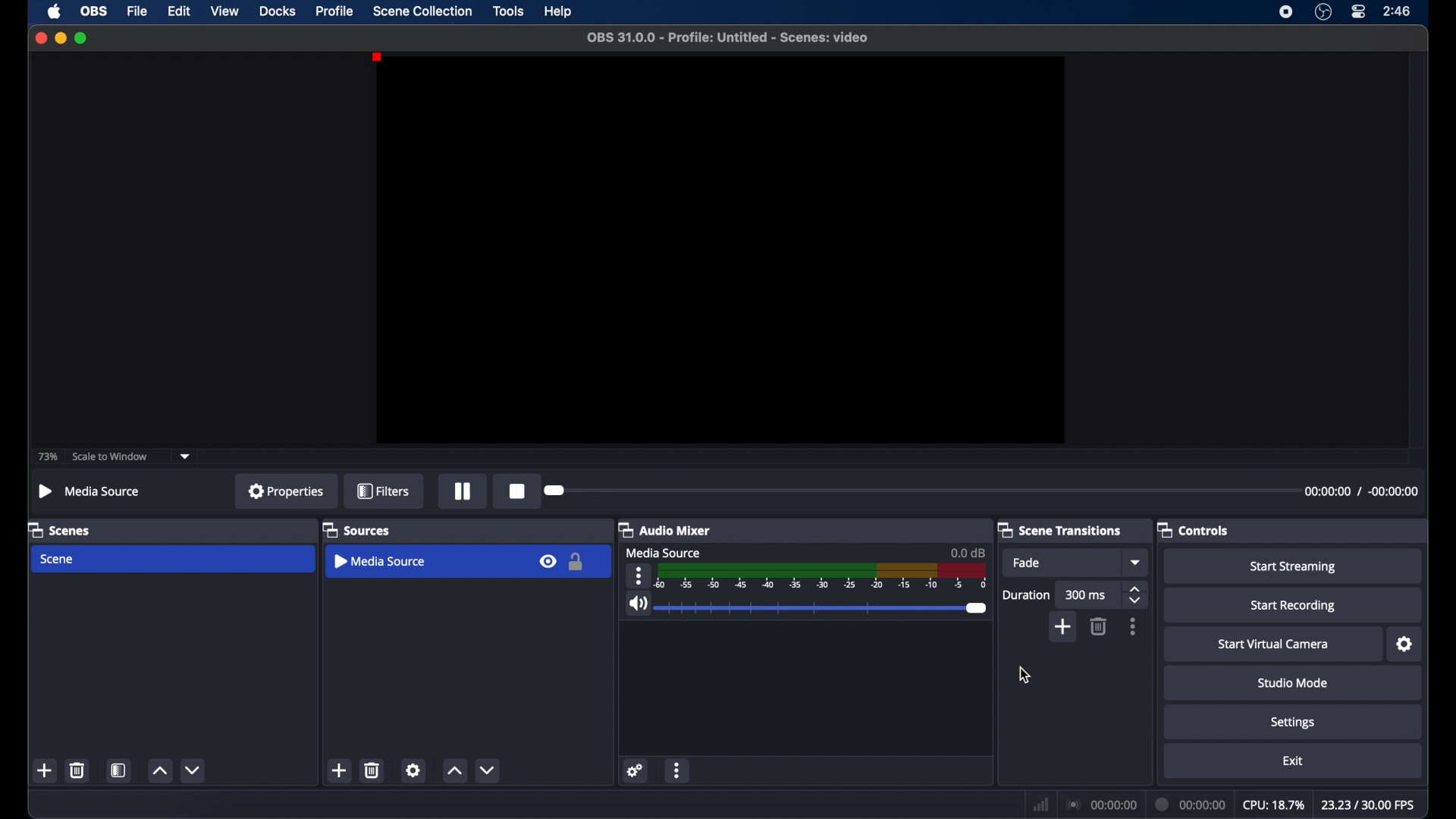 The width and height of the screenshot is (1456, 819). Describe the element at coordinates (119, 770) in the screenshot. I see `scene filters` at that location.